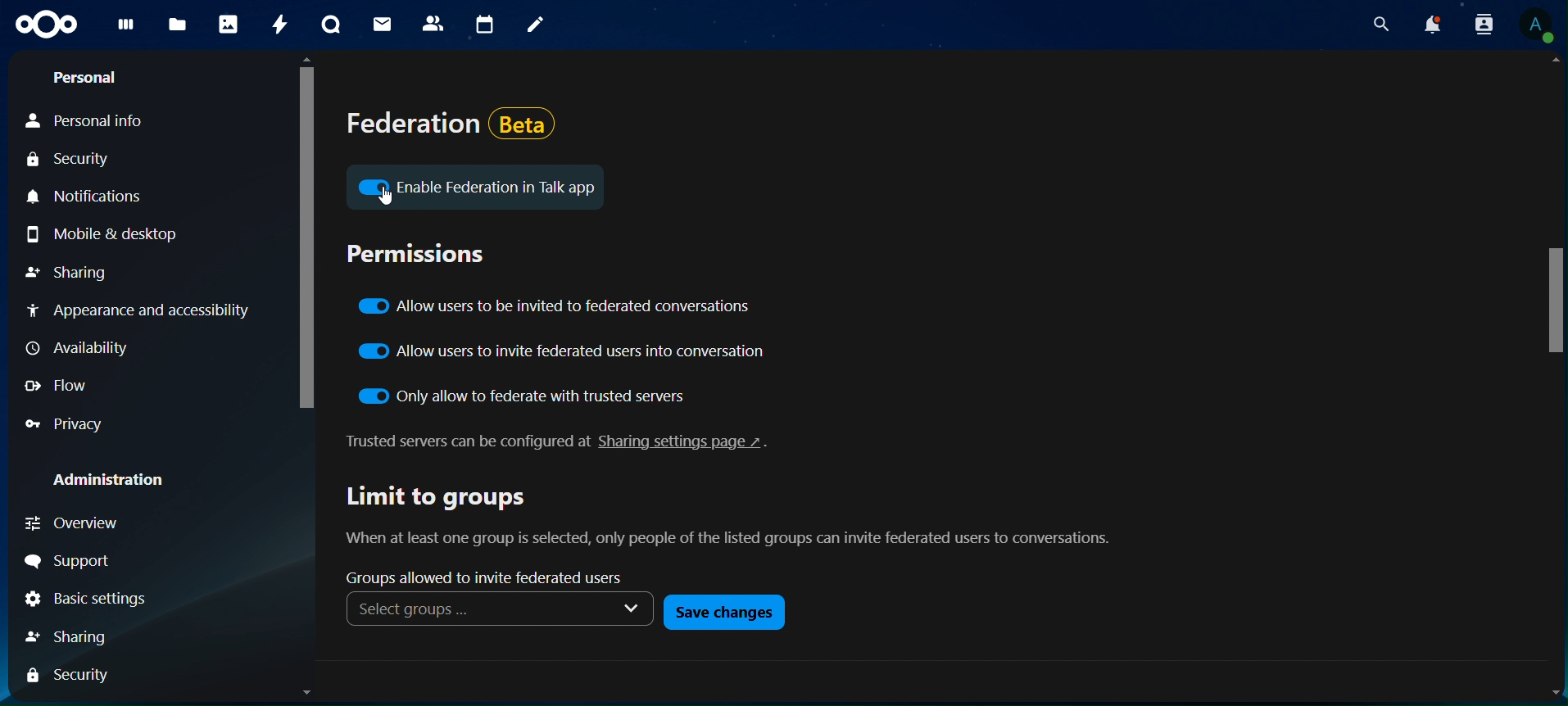 Image resolution: width=1568 pixels, height=706 pixels. Describe the element at coordinates (725, 610) in the screenshot. I see `save changes` at that location.